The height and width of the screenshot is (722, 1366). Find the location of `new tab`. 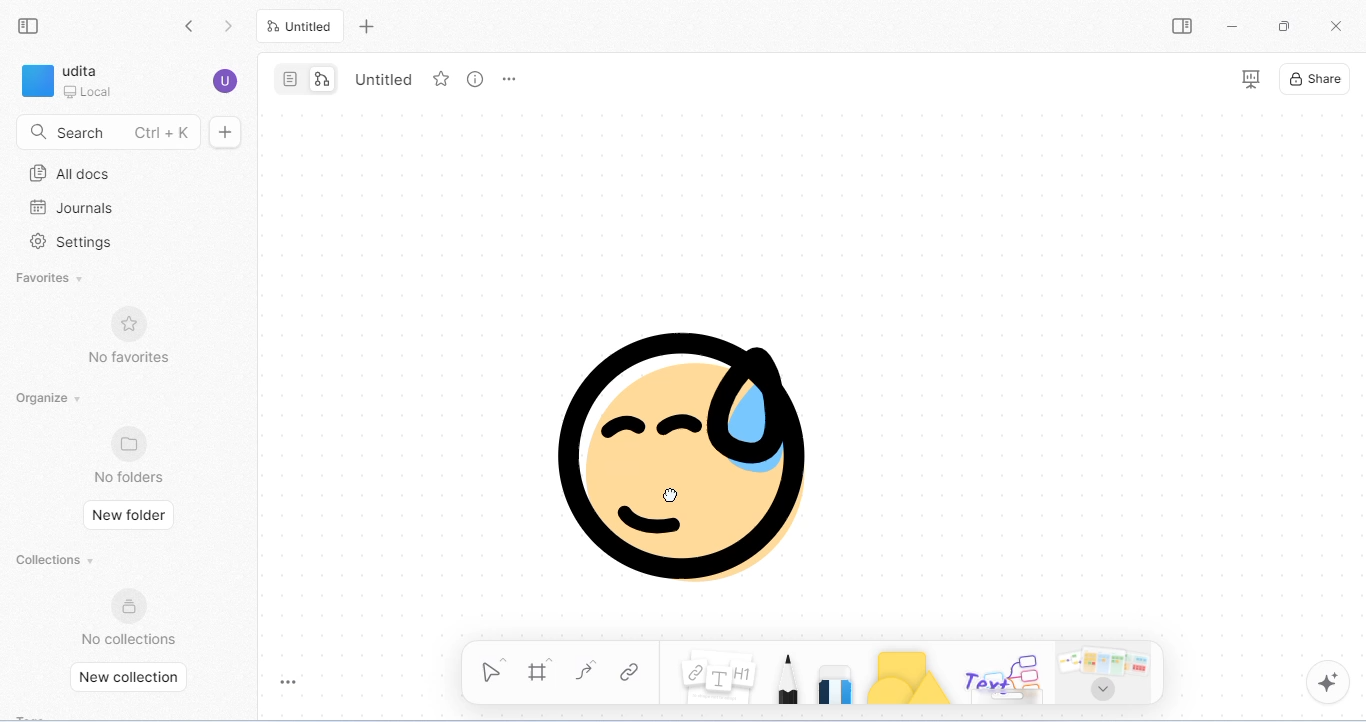

new tab is located at coordinates (369, 28).